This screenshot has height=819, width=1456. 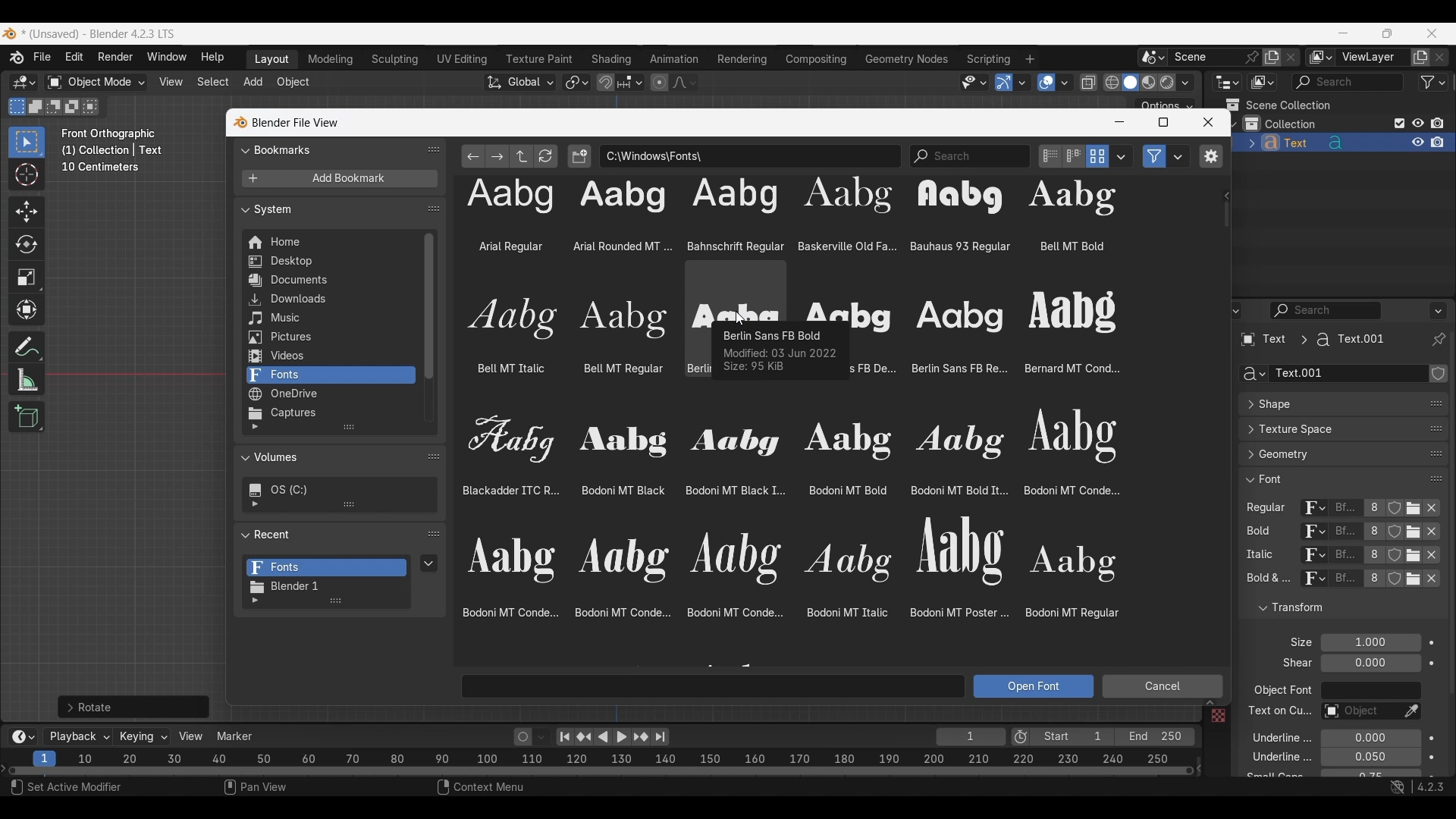 I want to click on Click to expand Shape, so click(x=1327, y=405).